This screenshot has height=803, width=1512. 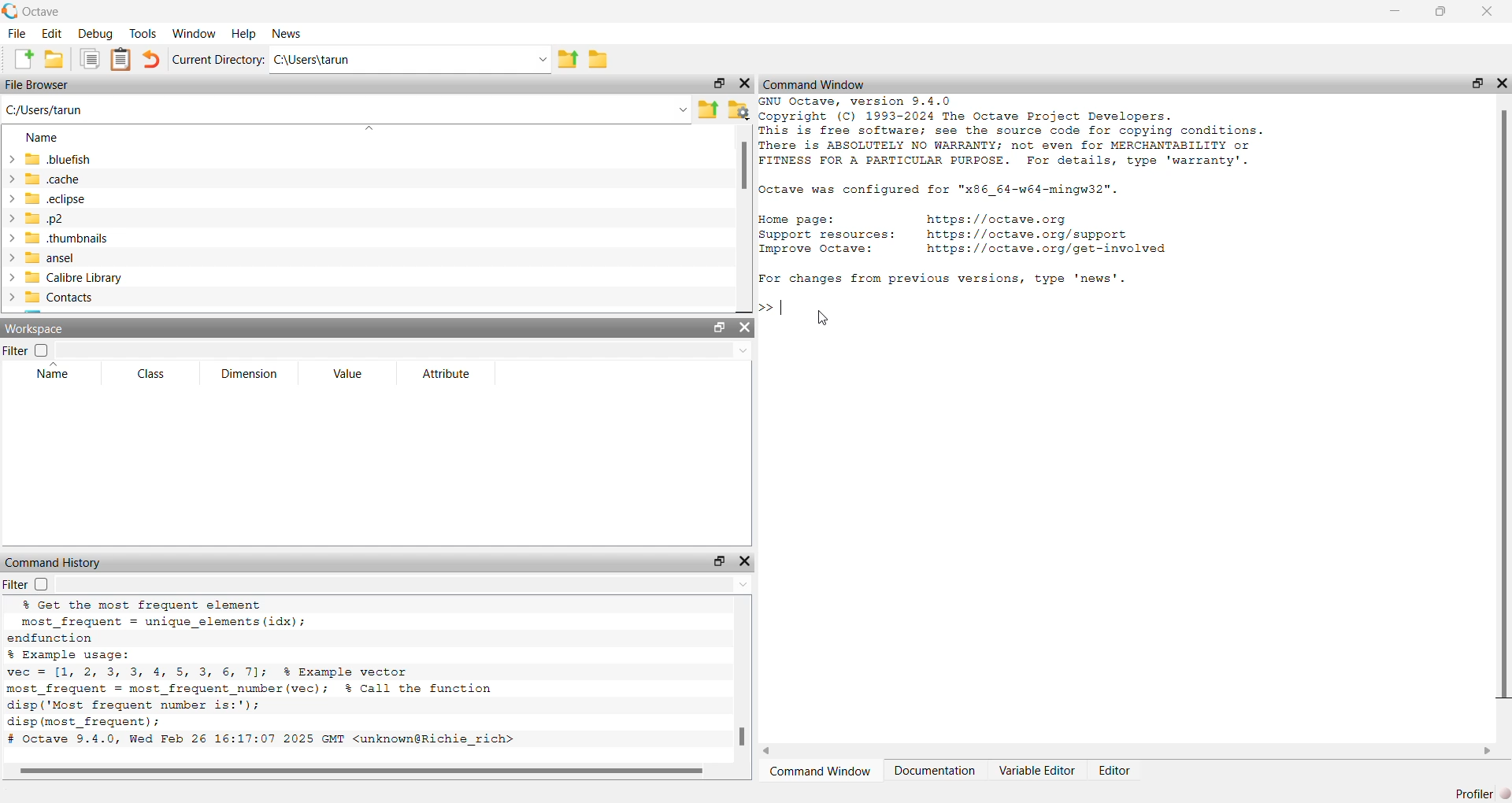 I want to click on expand/collapse, so click(x=10, y=298).